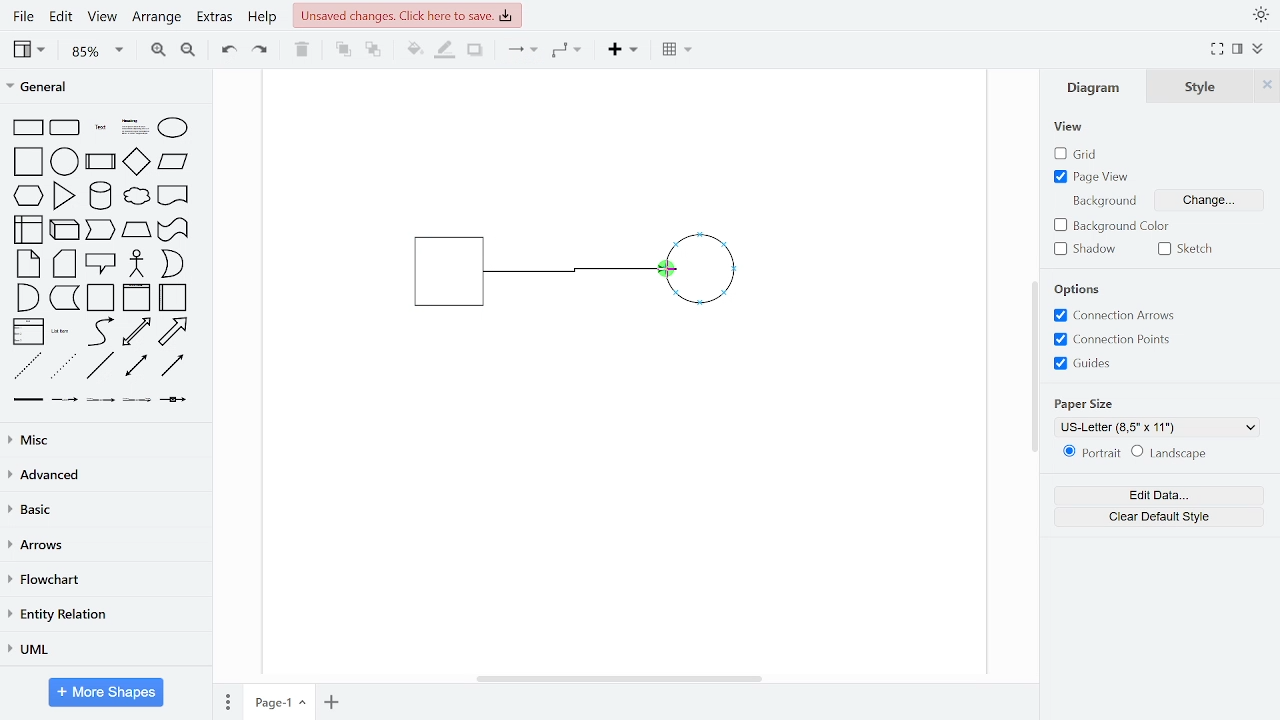  Describe the element at coordinates (136, 129) in the screenshot. I see `text box` at that location.